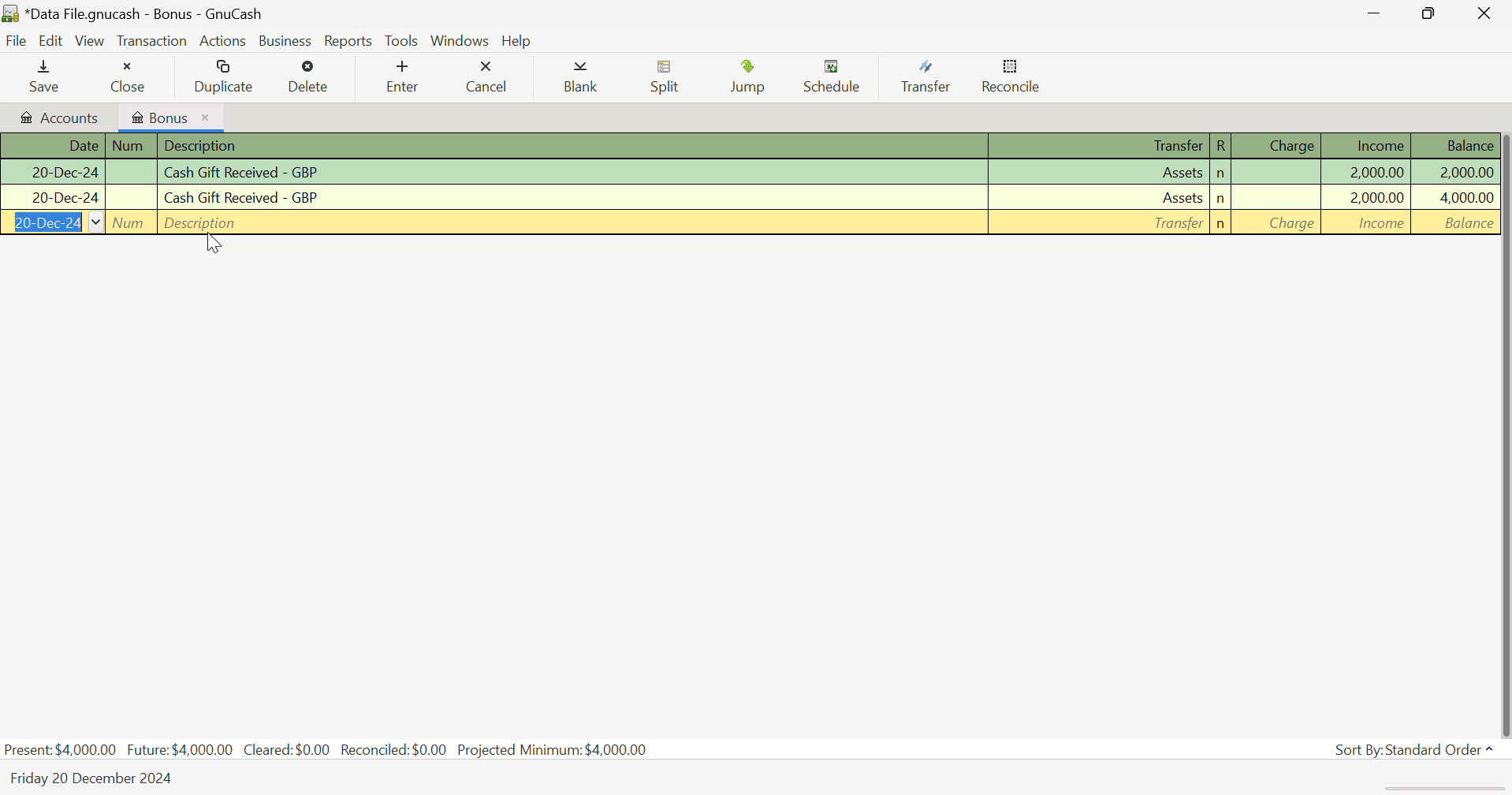 This screenshot has width=1512, height=795. I want to click on Balance, so click(1454, 223).